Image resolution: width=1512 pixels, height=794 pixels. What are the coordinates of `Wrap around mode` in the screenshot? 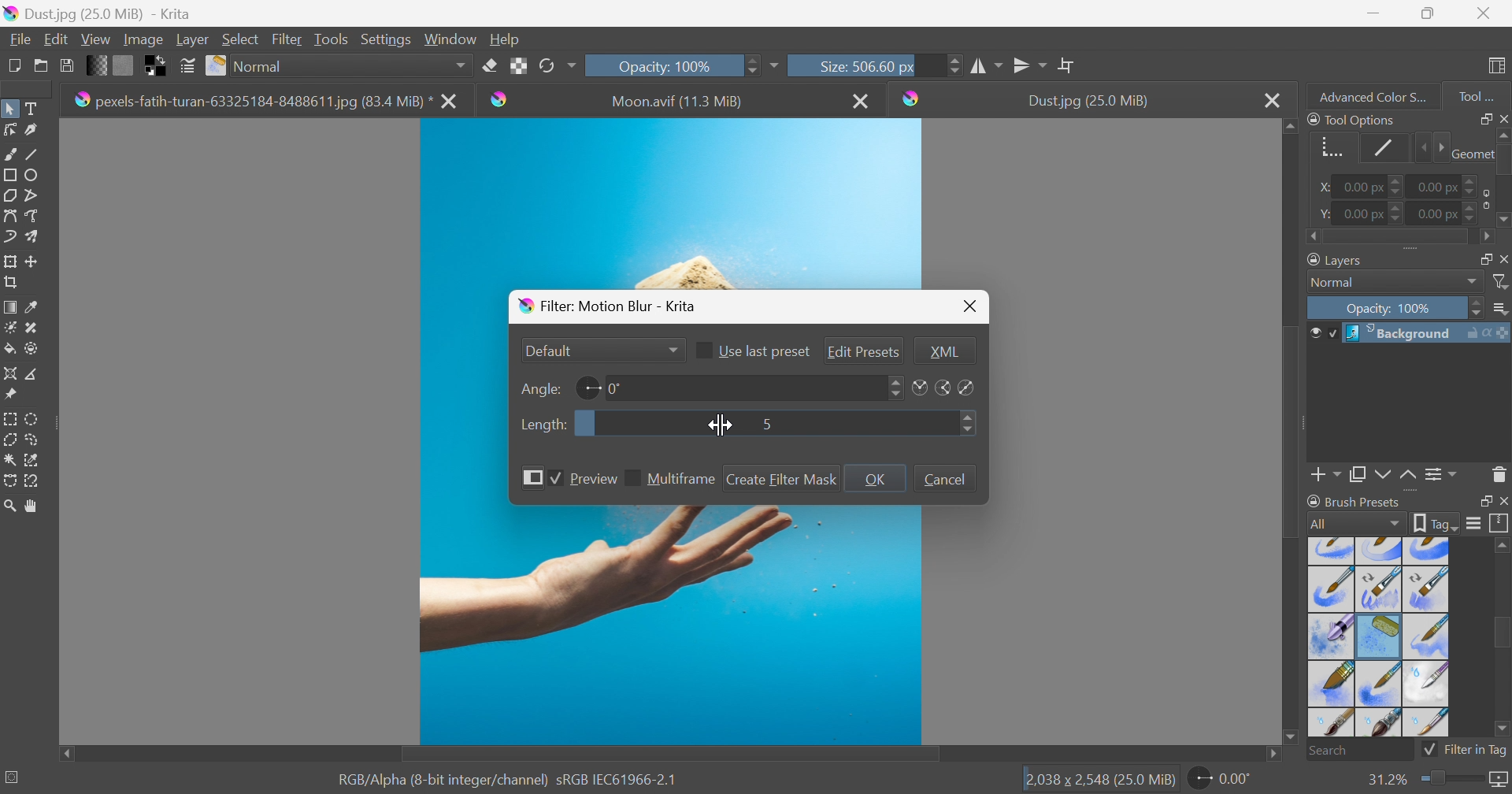 It's located at (1069, 65).